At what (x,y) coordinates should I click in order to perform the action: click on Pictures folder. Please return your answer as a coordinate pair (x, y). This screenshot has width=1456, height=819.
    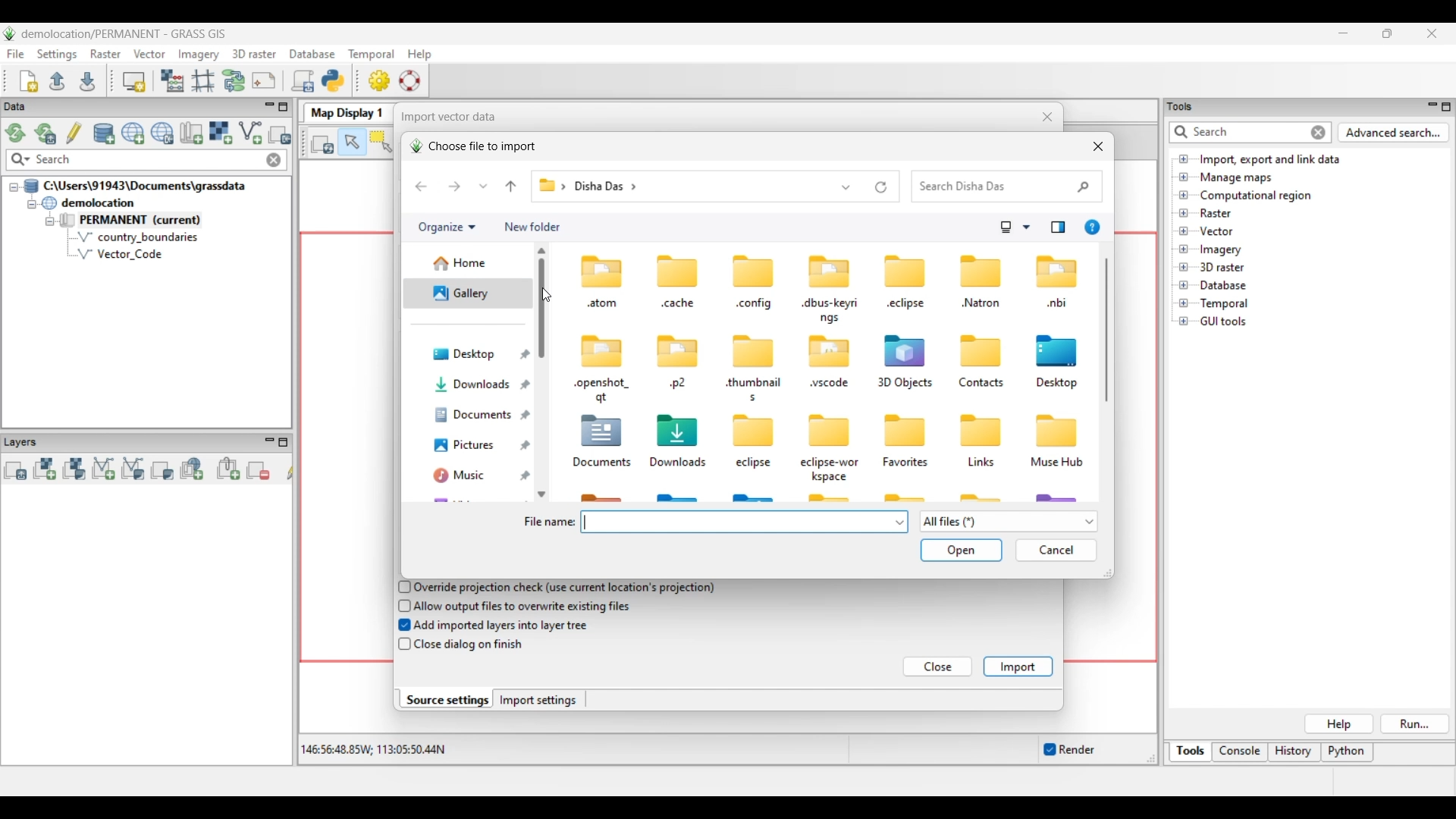
    Looking at the image, I should click on (470, 445).